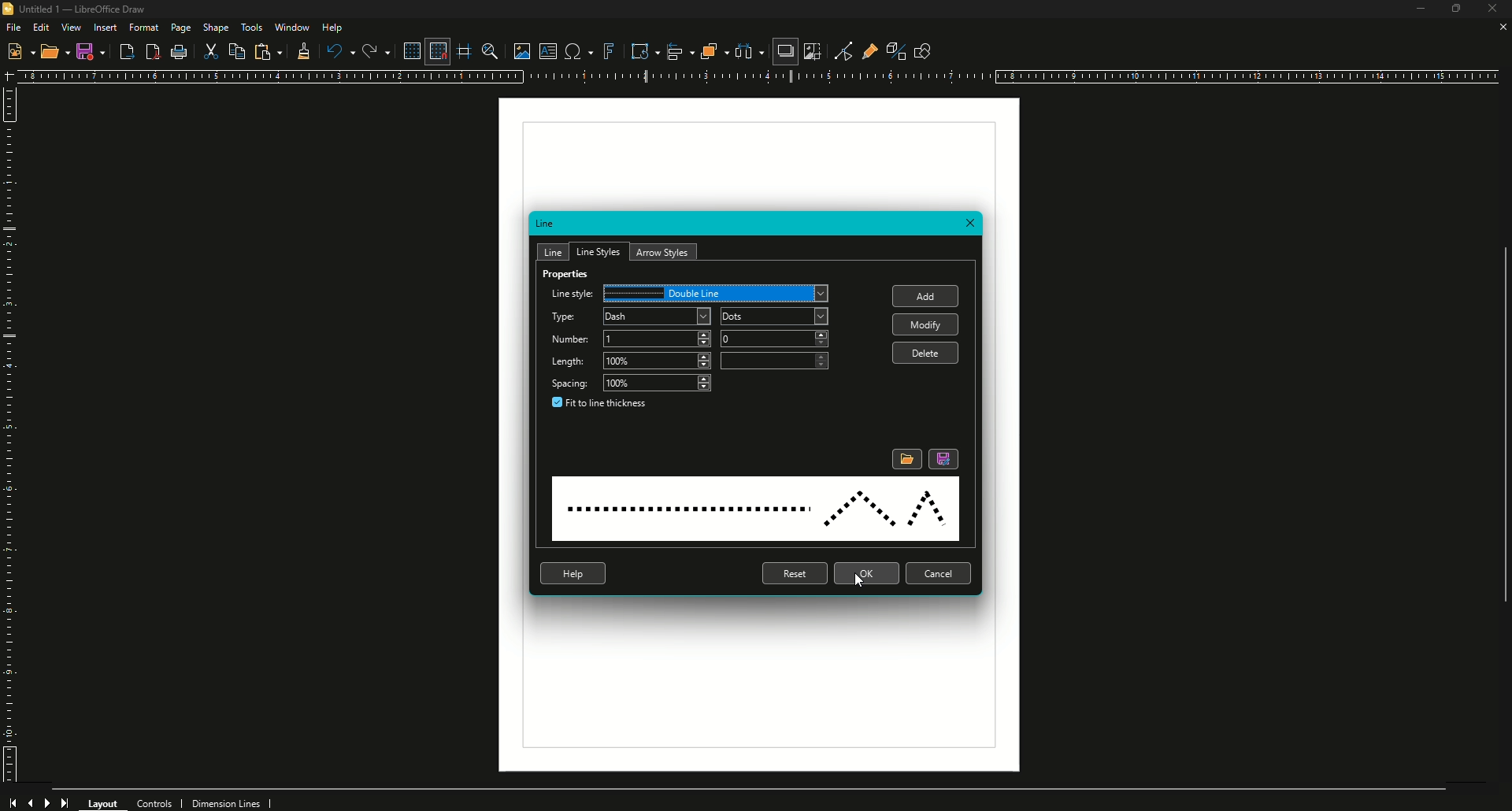  I want to click on Undo, so click(339, 51).